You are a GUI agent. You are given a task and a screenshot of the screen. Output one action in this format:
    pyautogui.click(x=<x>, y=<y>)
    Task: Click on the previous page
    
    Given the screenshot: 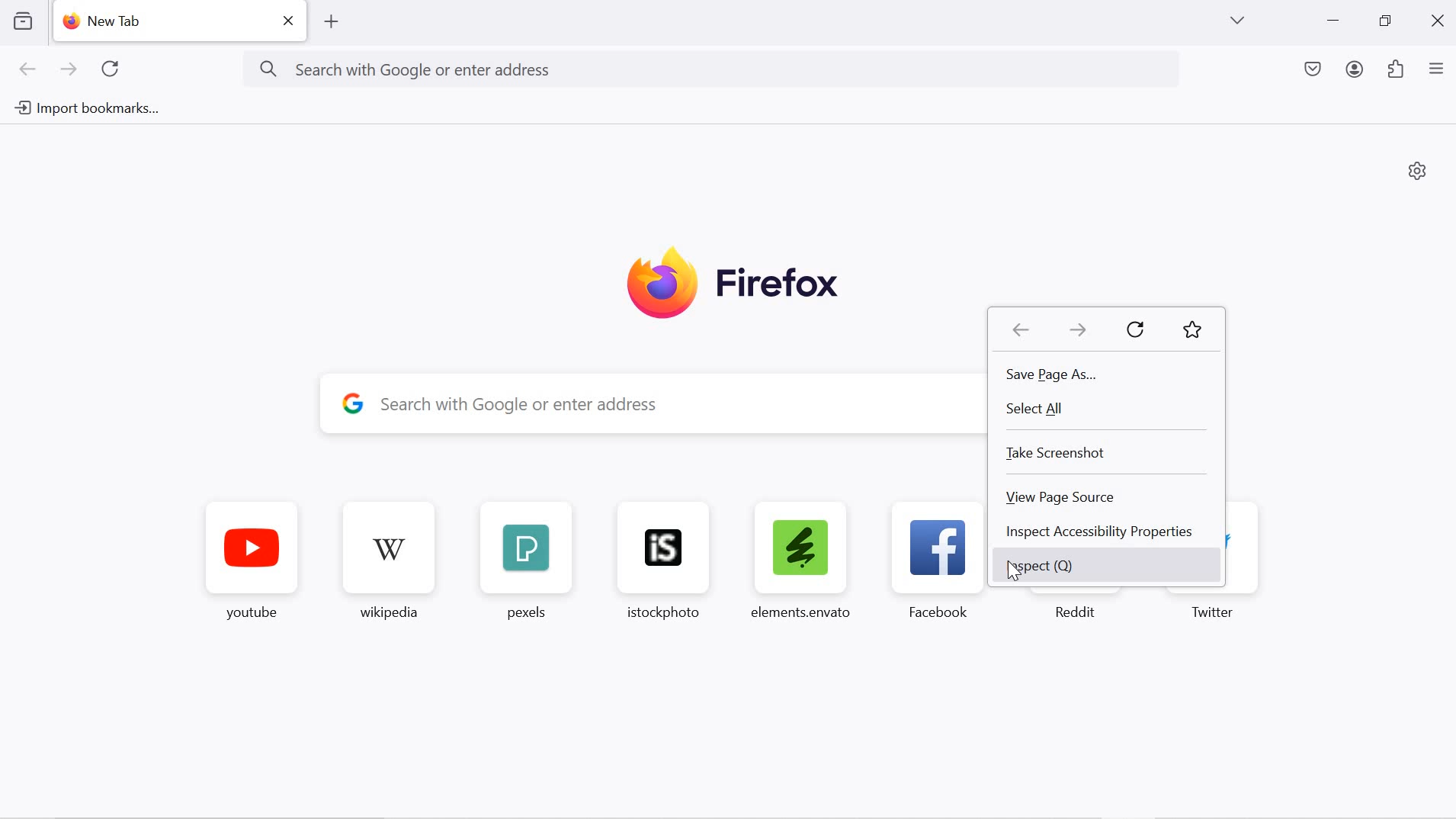 What is the action you would take?
    pyautogui.click(x=30, y=71)
    